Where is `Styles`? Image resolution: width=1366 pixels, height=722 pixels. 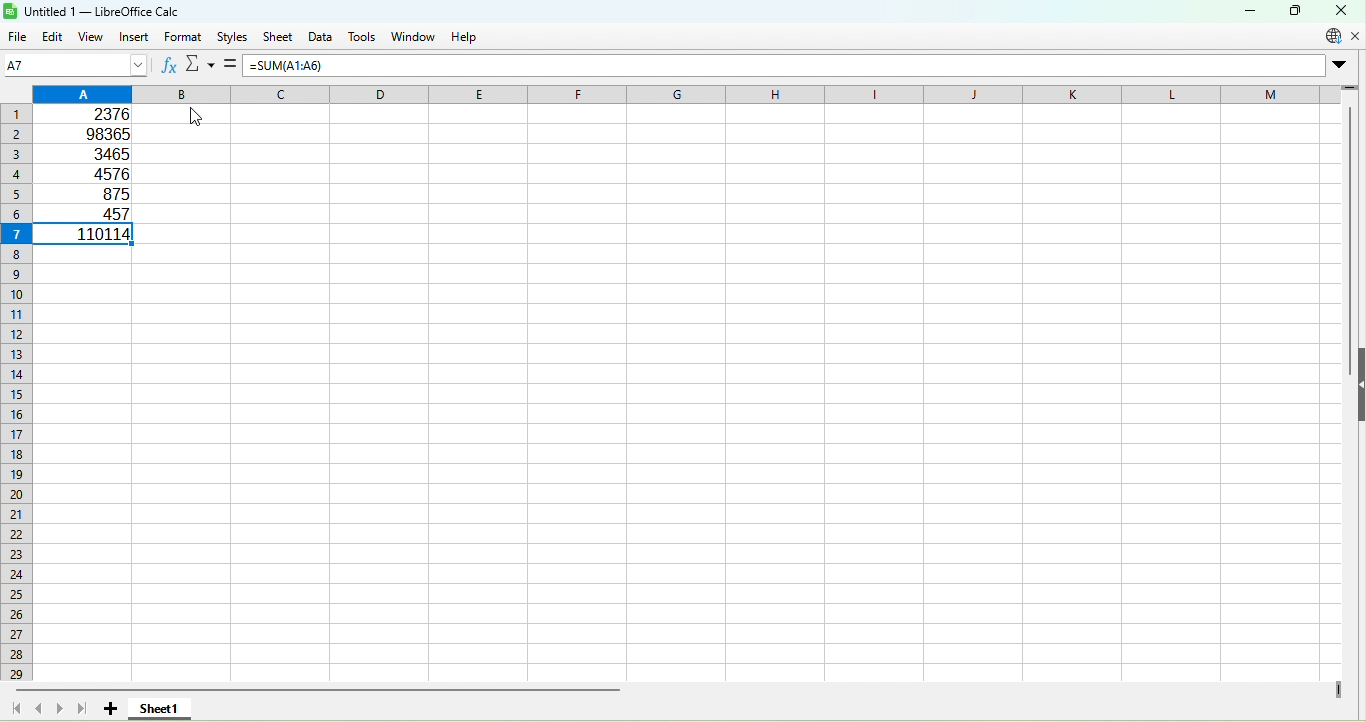
Styles is located at coordinates (229, 37).